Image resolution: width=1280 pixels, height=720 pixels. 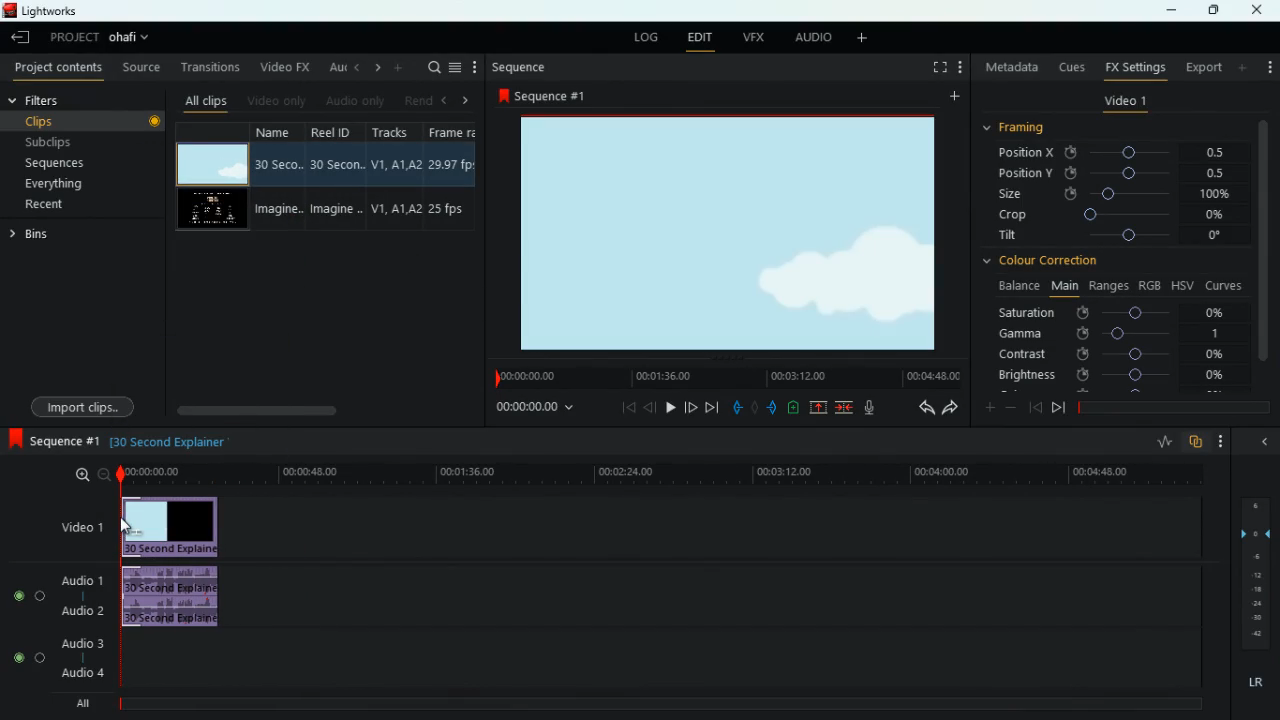 I want to click on -6 (layer), so click(x=1254, y=556).